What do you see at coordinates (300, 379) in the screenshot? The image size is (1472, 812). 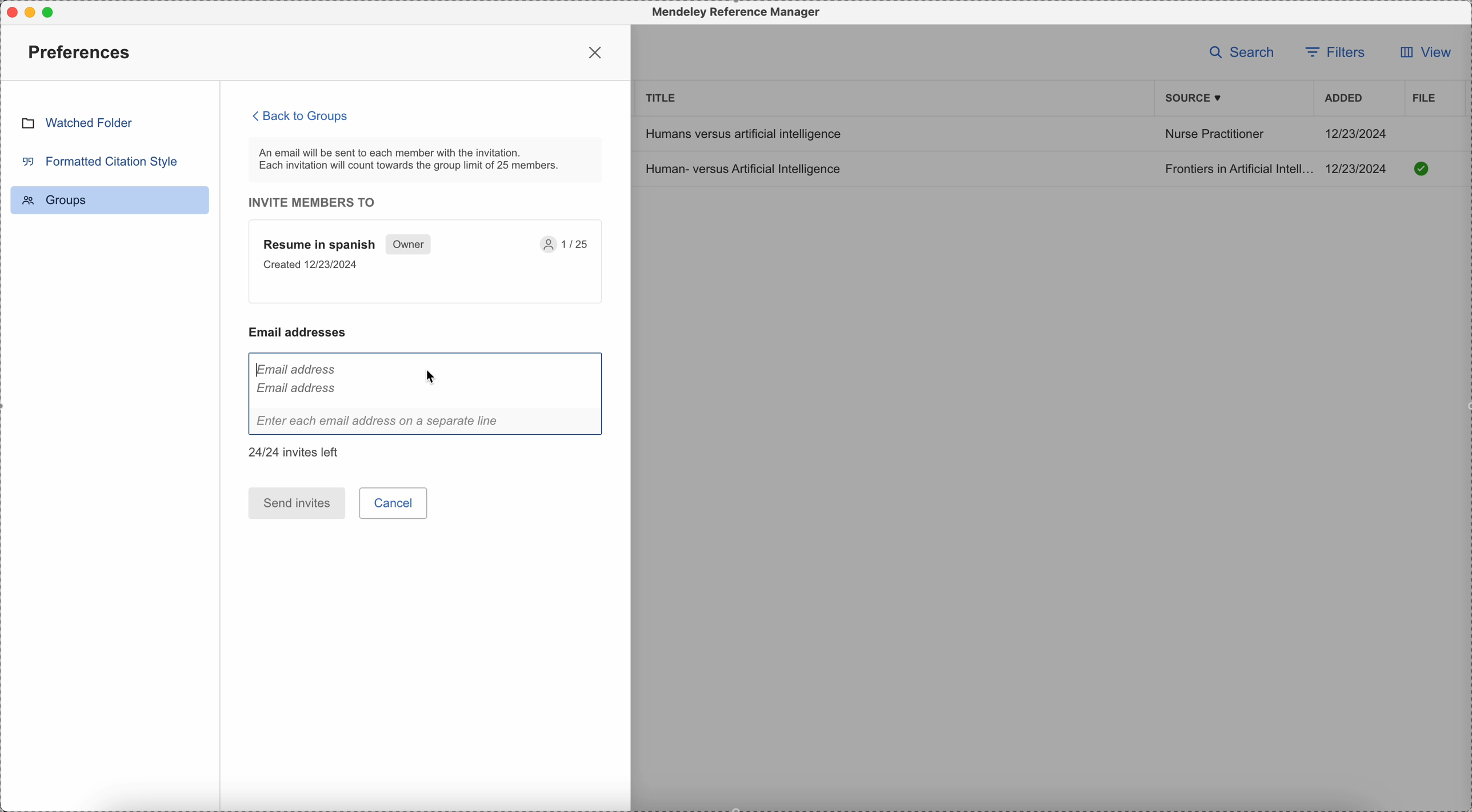 I see `Email Address` at bounding box center [300, 379].